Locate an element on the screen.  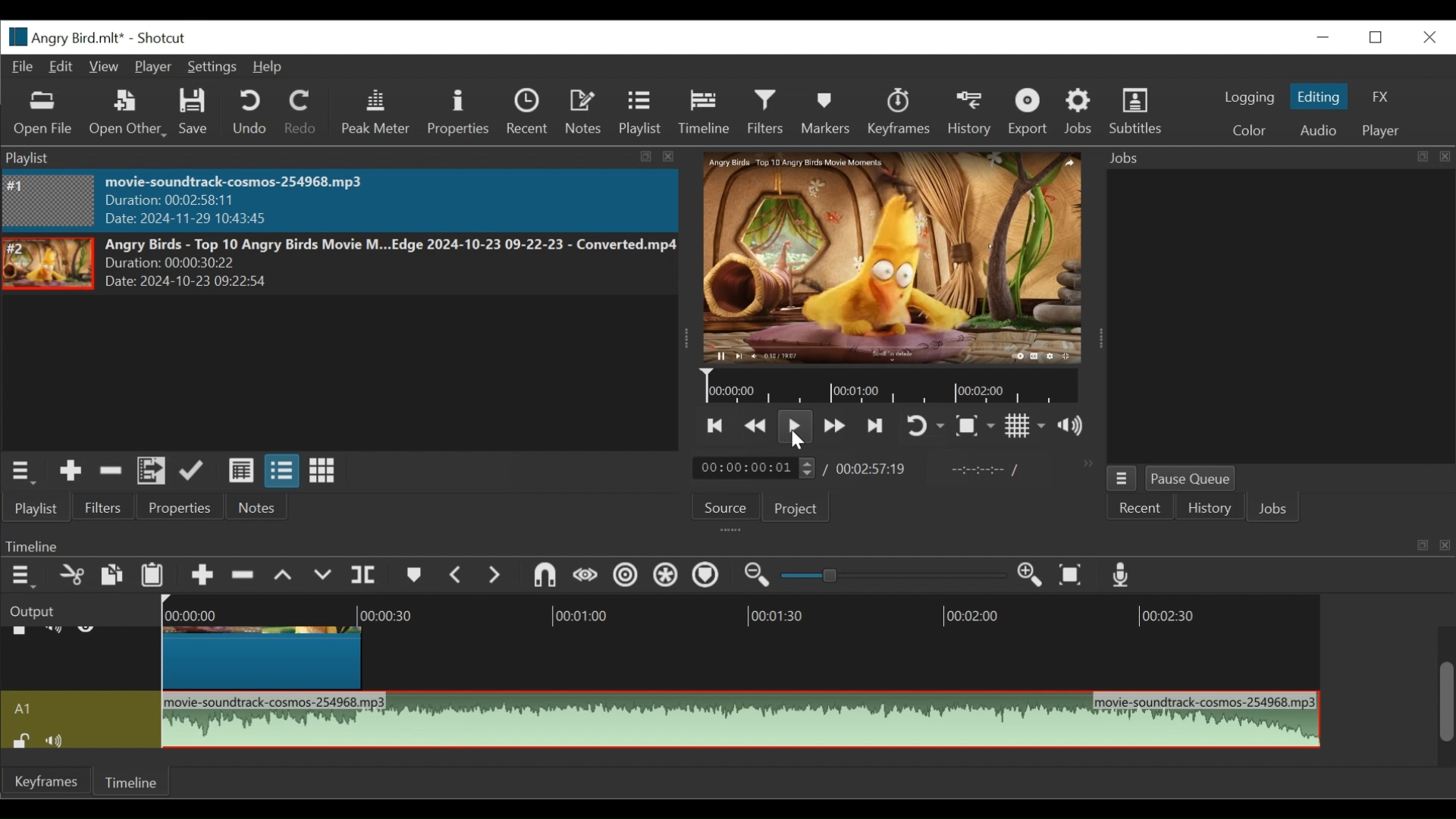
View as icons is located at coordinates (322, 471).